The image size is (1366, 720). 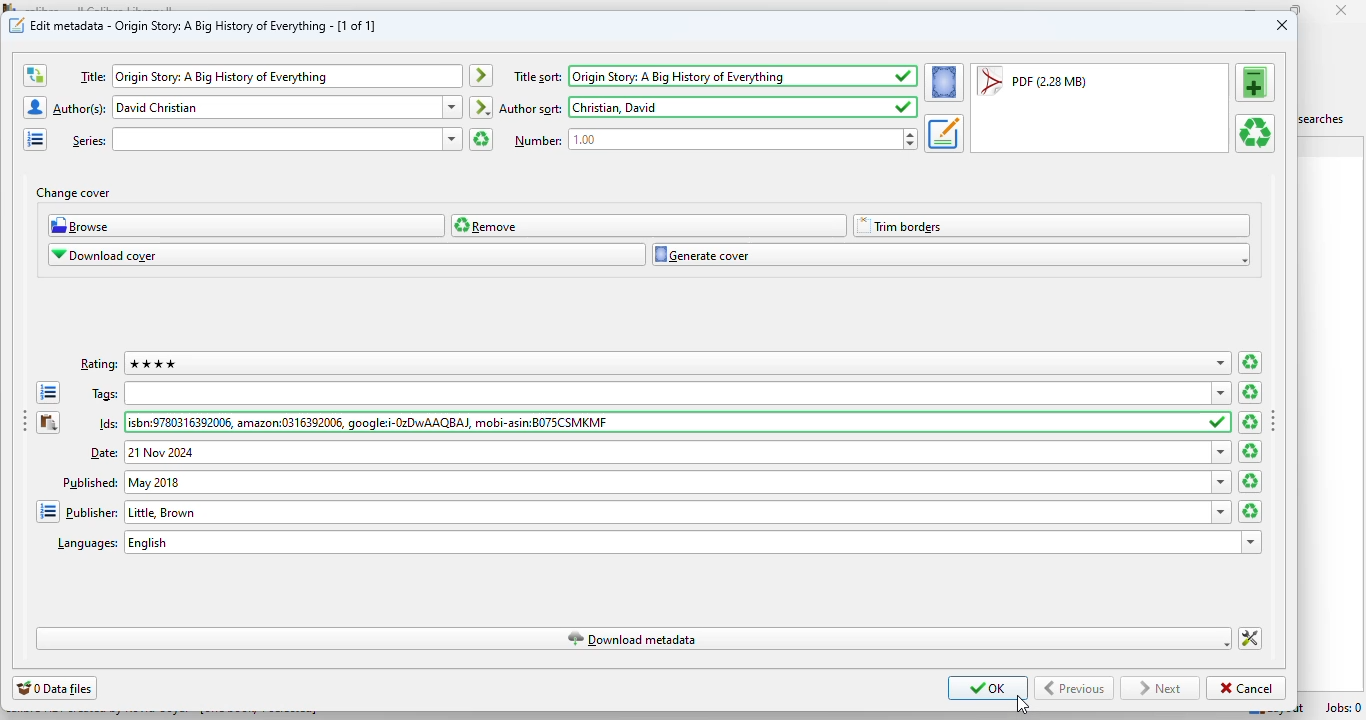 What do you see at coordinates (729, 106) in the screenshot?
I see `author sort: David christian` at bounding box center [729, 106].